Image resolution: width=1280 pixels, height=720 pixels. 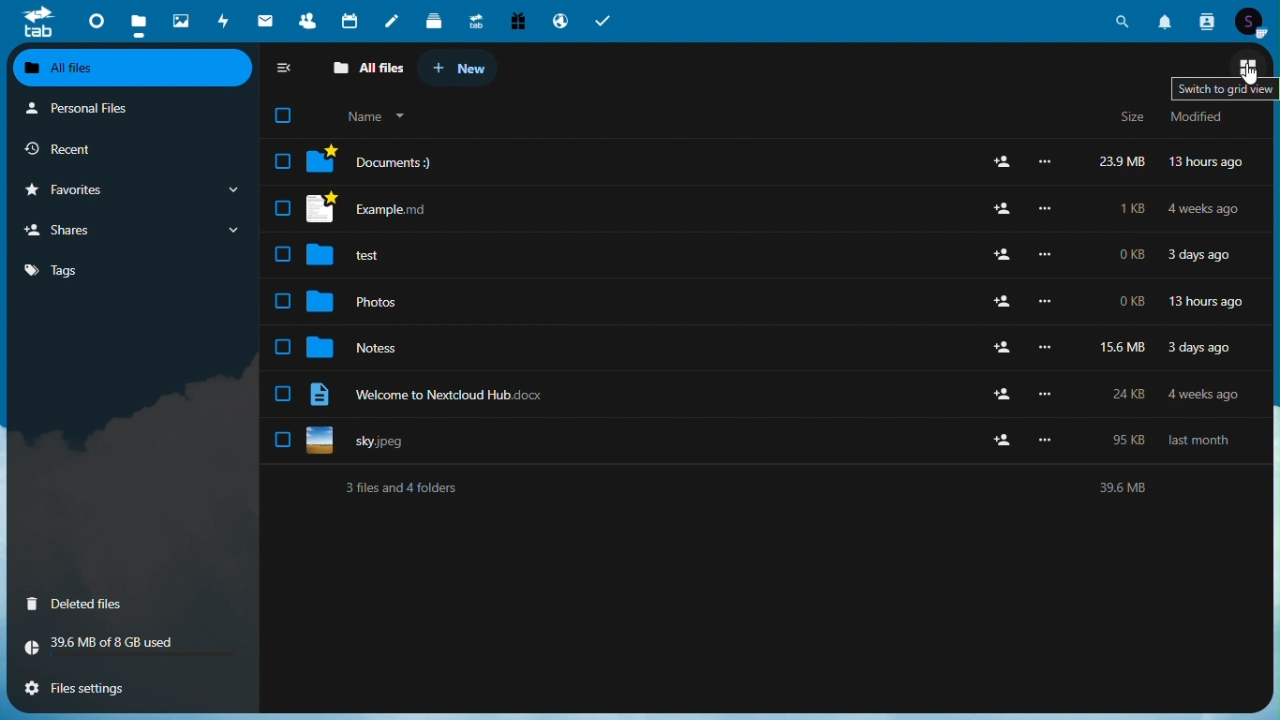 I want to click on test, so click(x=388, y=254).